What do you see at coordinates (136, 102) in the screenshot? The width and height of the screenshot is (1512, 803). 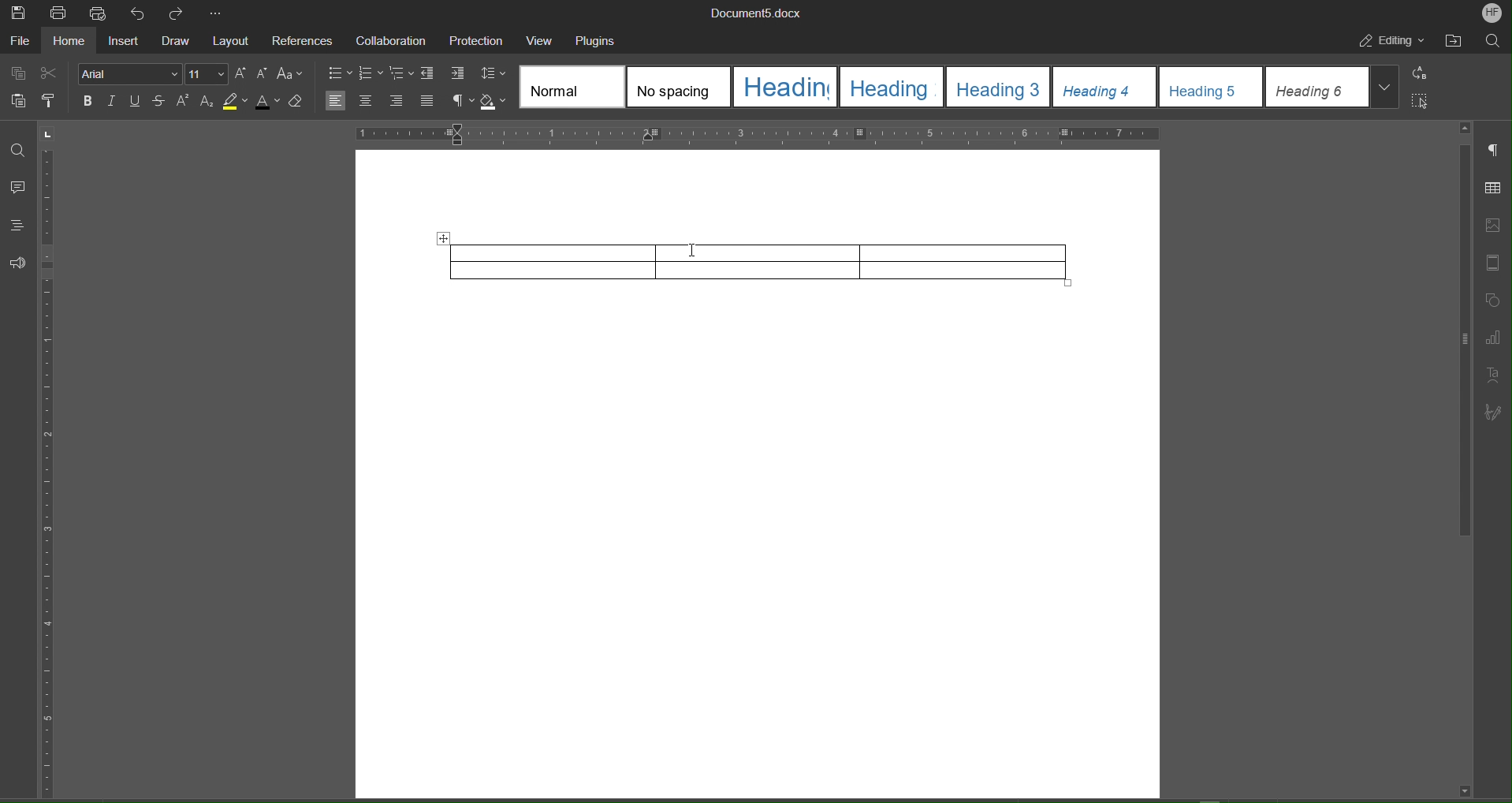 I see `Underline` at bounding box center [136, 102].